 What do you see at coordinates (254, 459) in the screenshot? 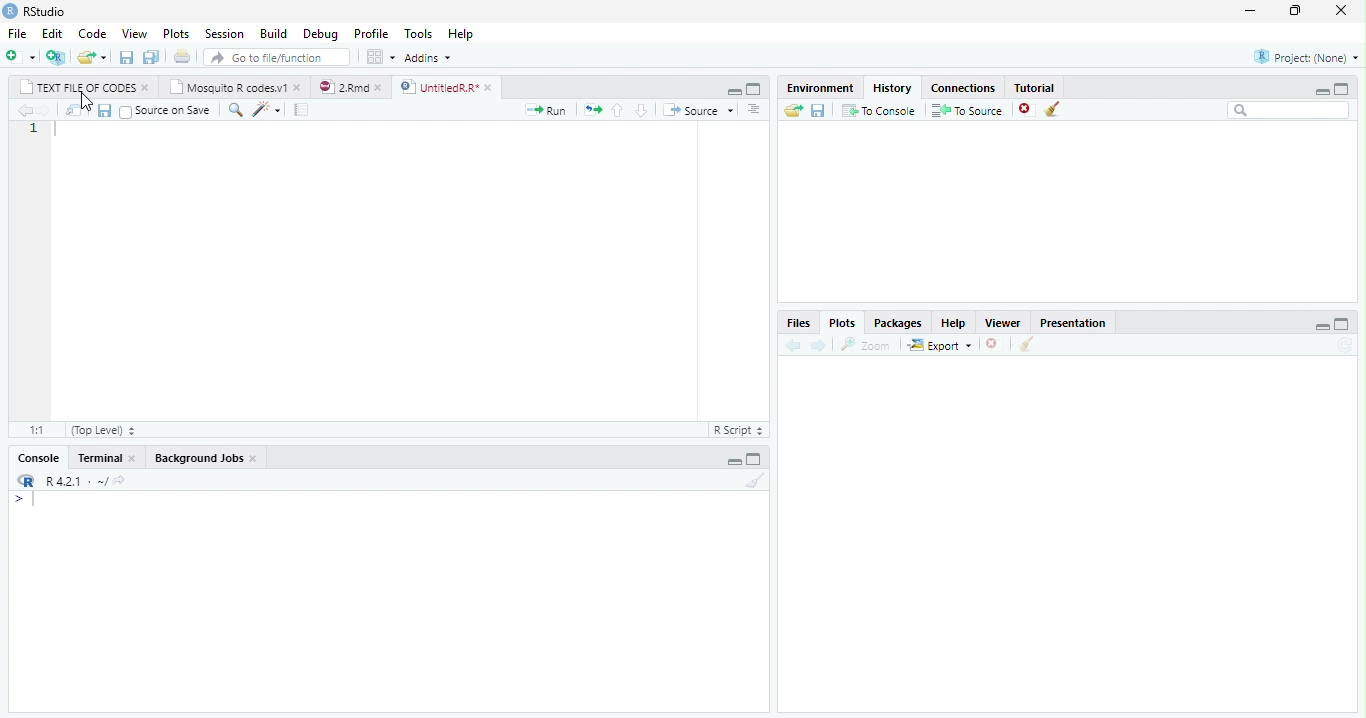
I see `close` at bounding box center [254, 459].